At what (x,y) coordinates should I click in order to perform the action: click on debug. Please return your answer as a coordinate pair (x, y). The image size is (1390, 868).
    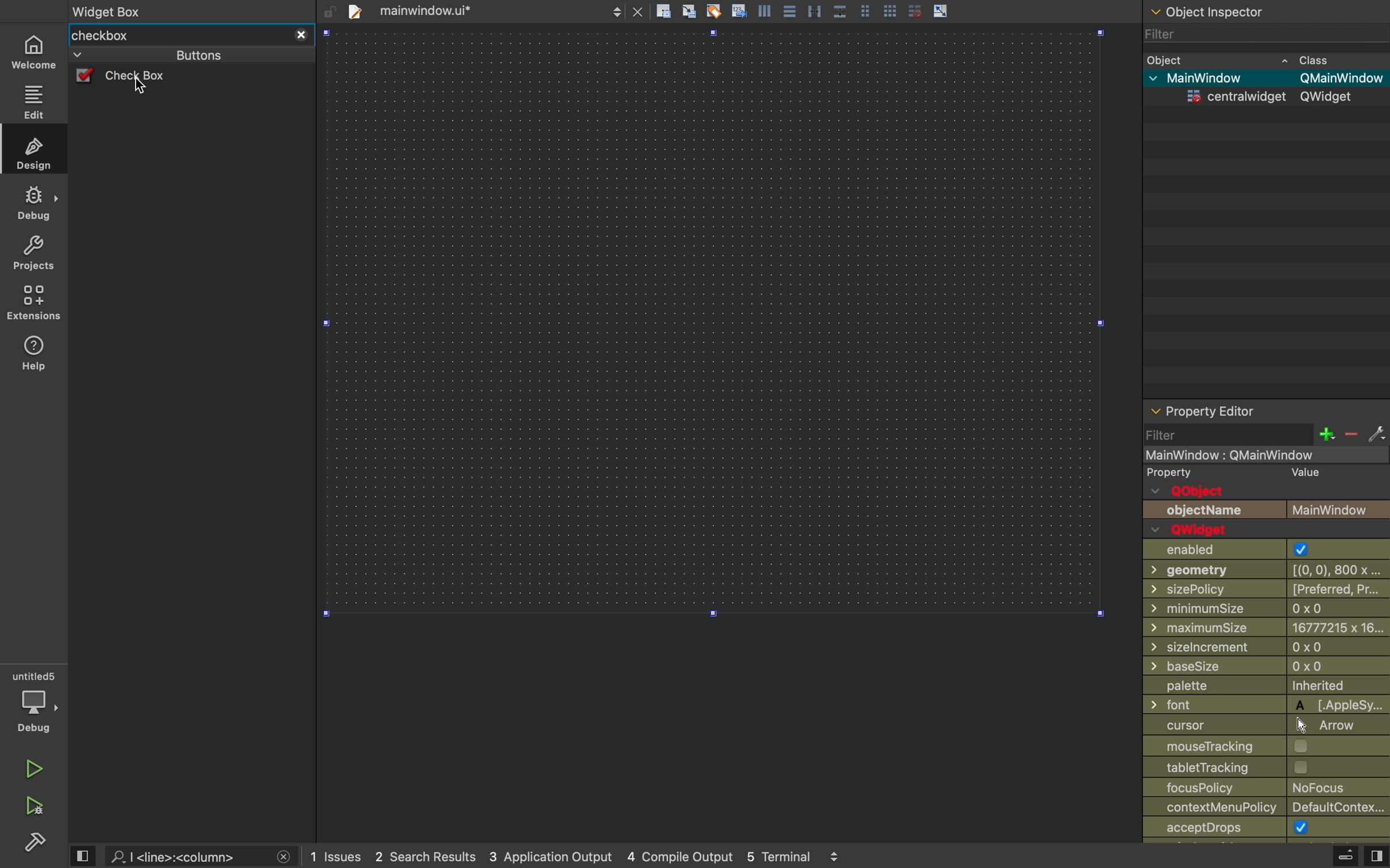
    Looking at the image, I should click on (34, 702).